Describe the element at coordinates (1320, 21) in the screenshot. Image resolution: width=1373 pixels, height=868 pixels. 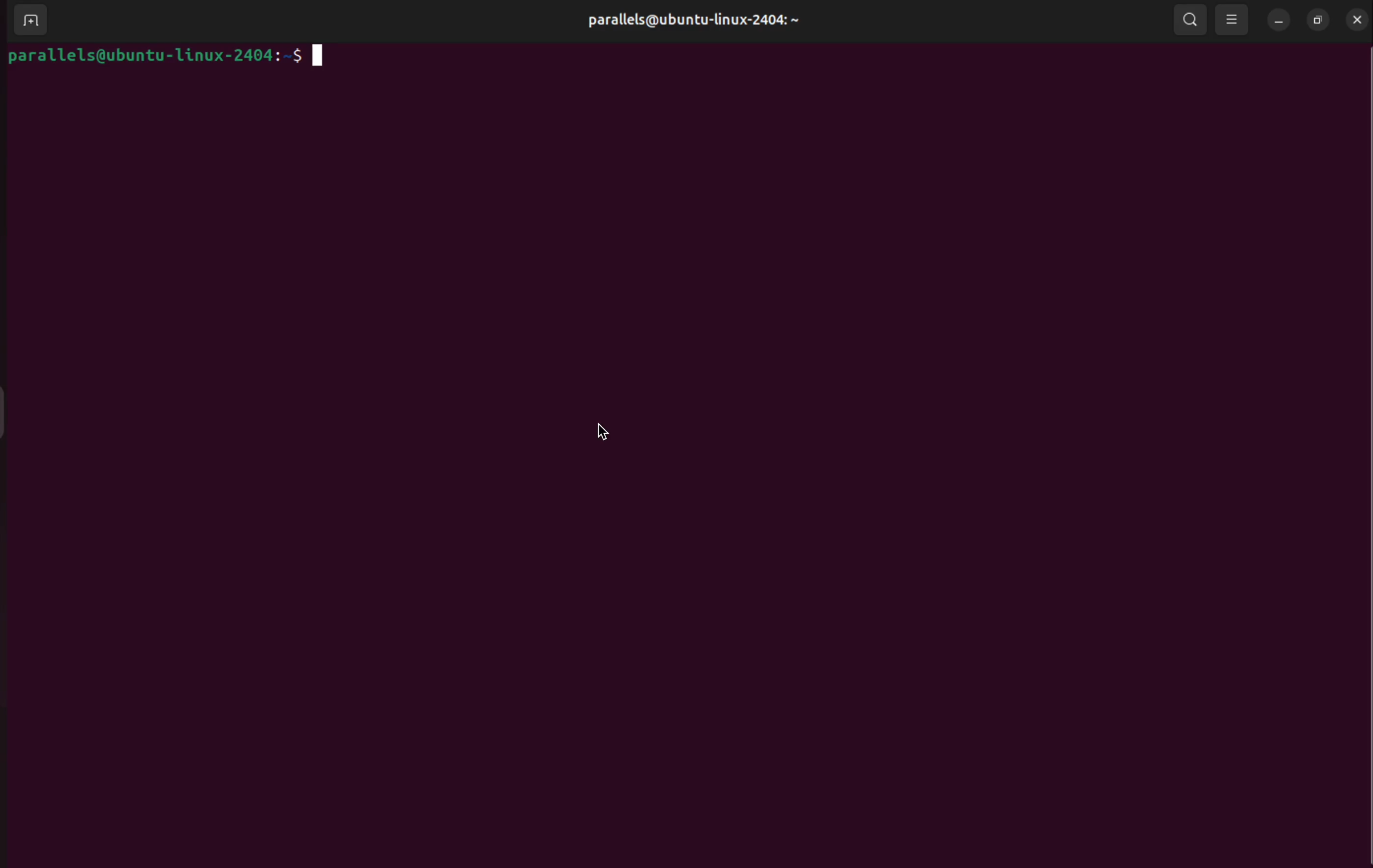
I see `resize` at that location.